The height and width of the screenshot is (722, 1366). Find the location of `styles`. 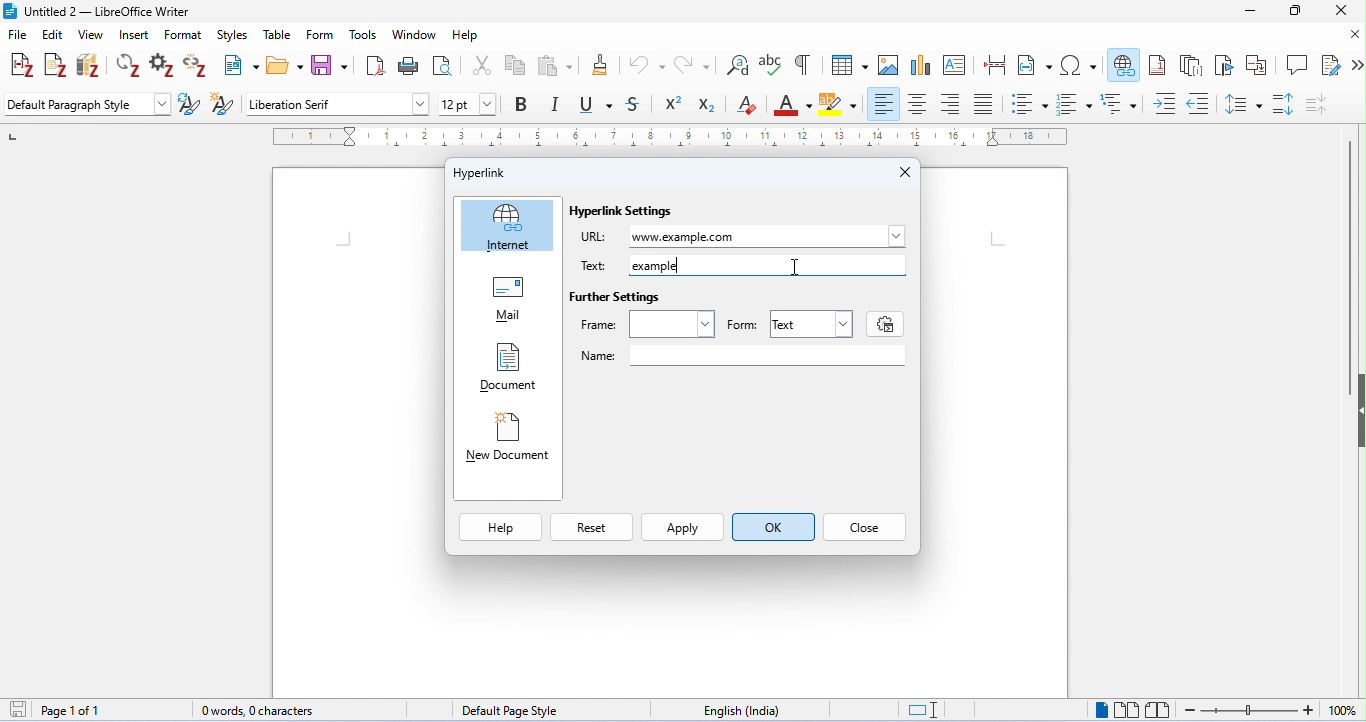

styles is located at coordinates (232, 35).